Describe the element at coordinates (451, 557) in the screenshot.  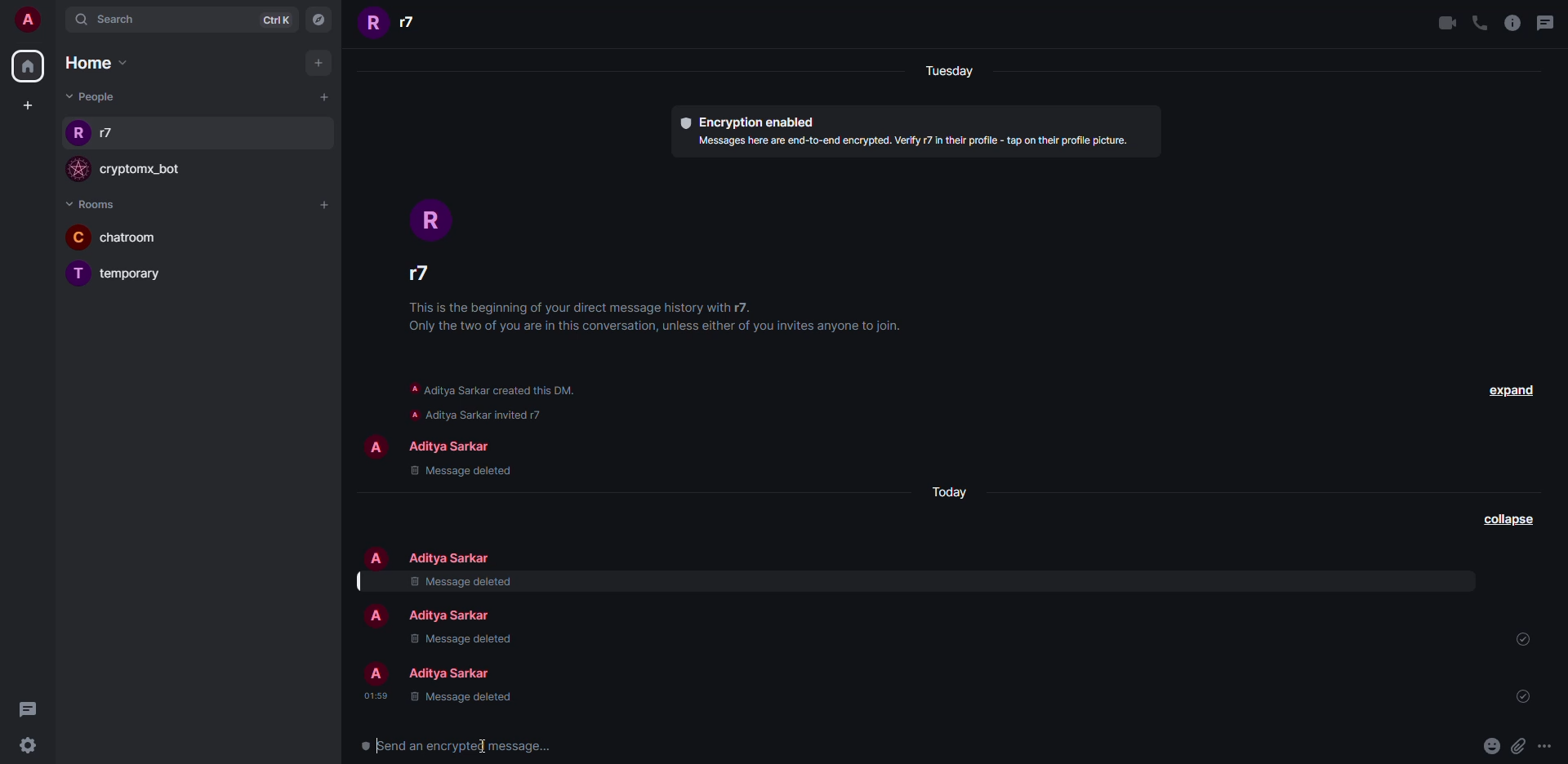
I see `people` at that location.